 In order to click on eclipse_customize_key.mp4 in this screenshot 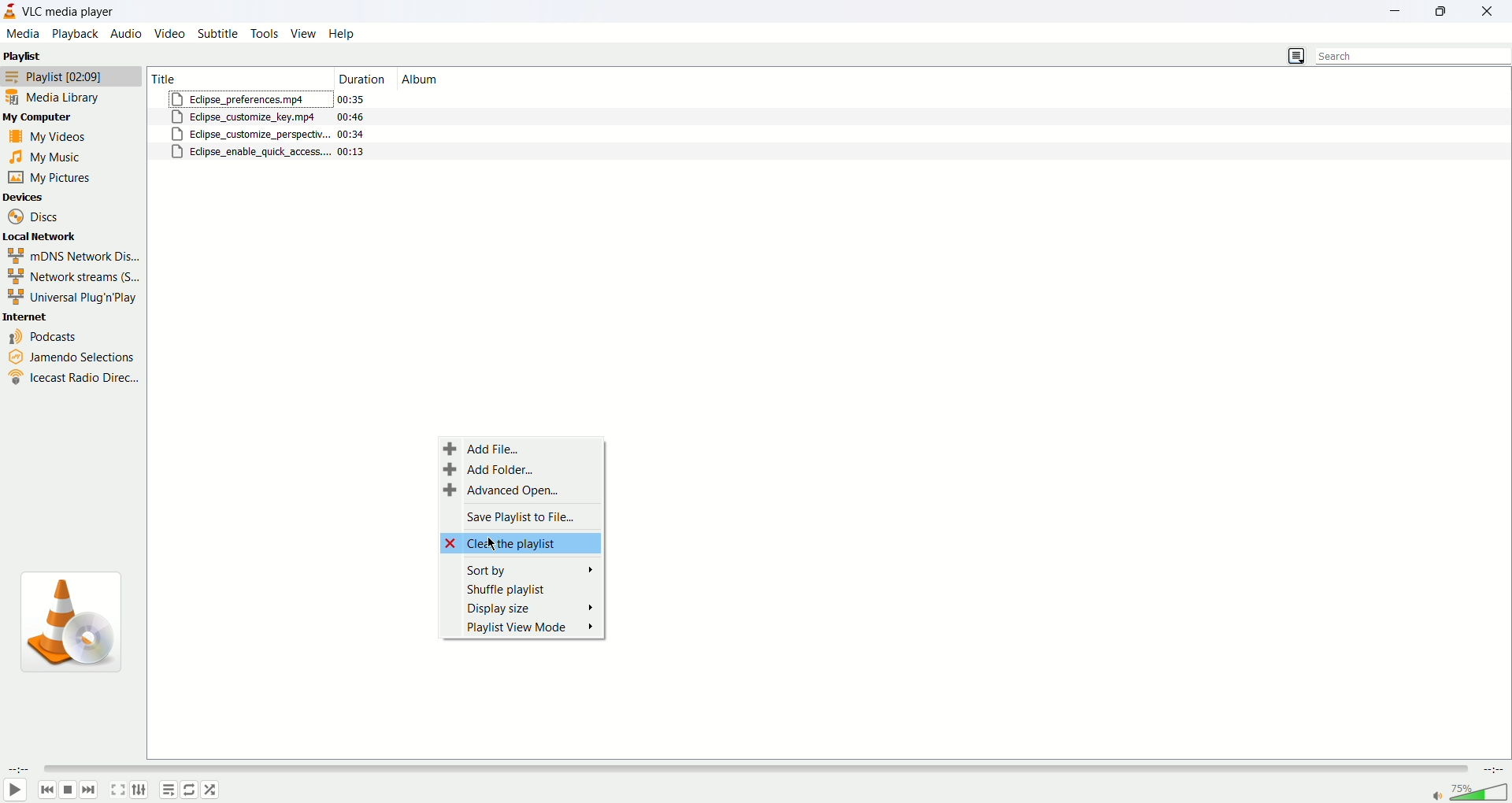, I will do `click(247, 117)`.